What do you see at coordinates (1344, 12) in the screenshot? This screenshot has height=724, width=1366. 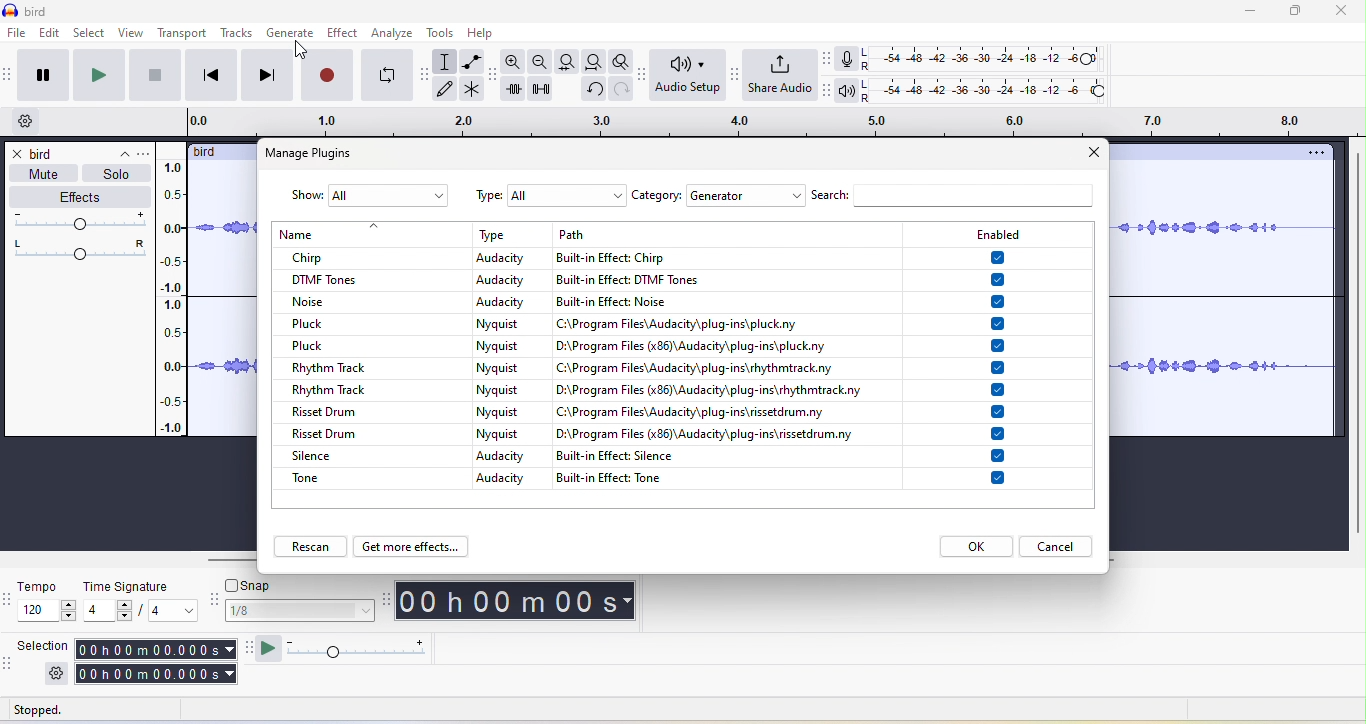 I see `close` at bounding box center [1344, 12].